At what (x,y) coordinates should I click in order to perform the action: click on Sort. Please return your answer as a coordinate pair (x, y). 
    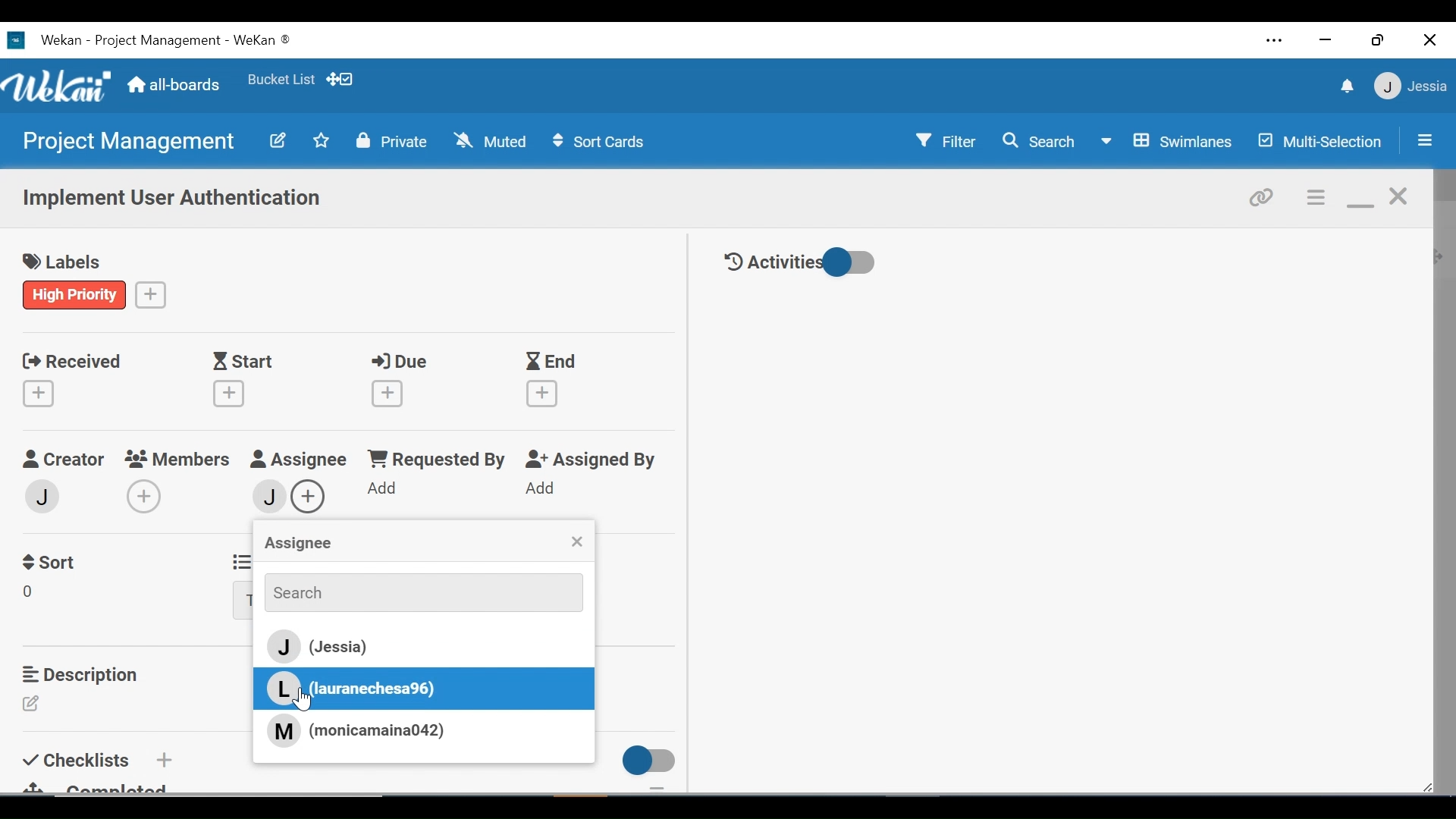
    Looking at the image, I should click on (52, 560).